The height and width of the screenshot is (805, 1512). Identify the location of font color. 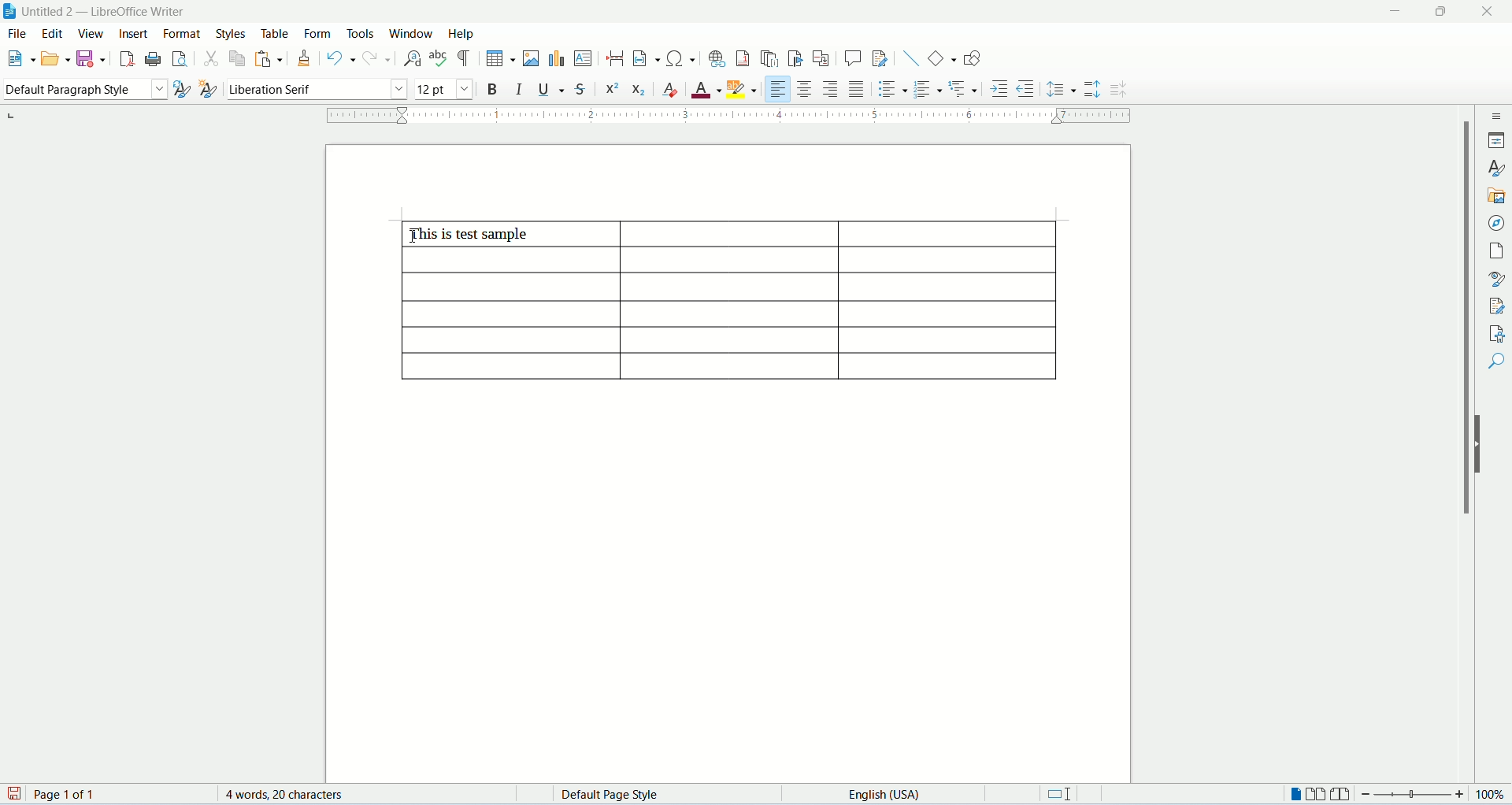
(705, 87).